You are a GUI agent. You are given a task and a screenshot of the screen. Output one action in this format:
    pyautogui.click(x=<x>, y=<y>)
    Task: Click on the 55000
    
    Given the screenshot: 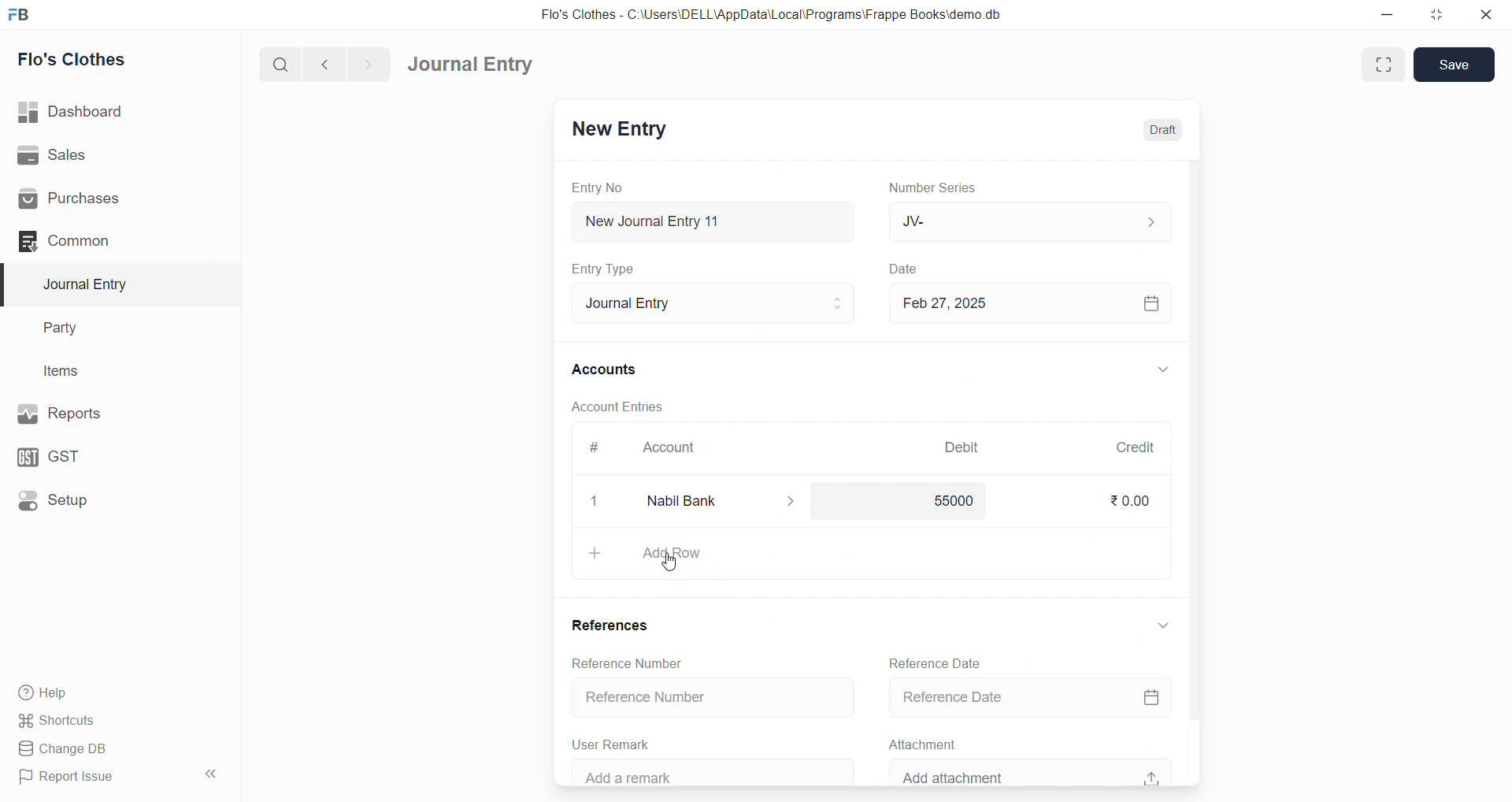 What is the action you would take?
    pyautogui.click(x=959, y=503)
    